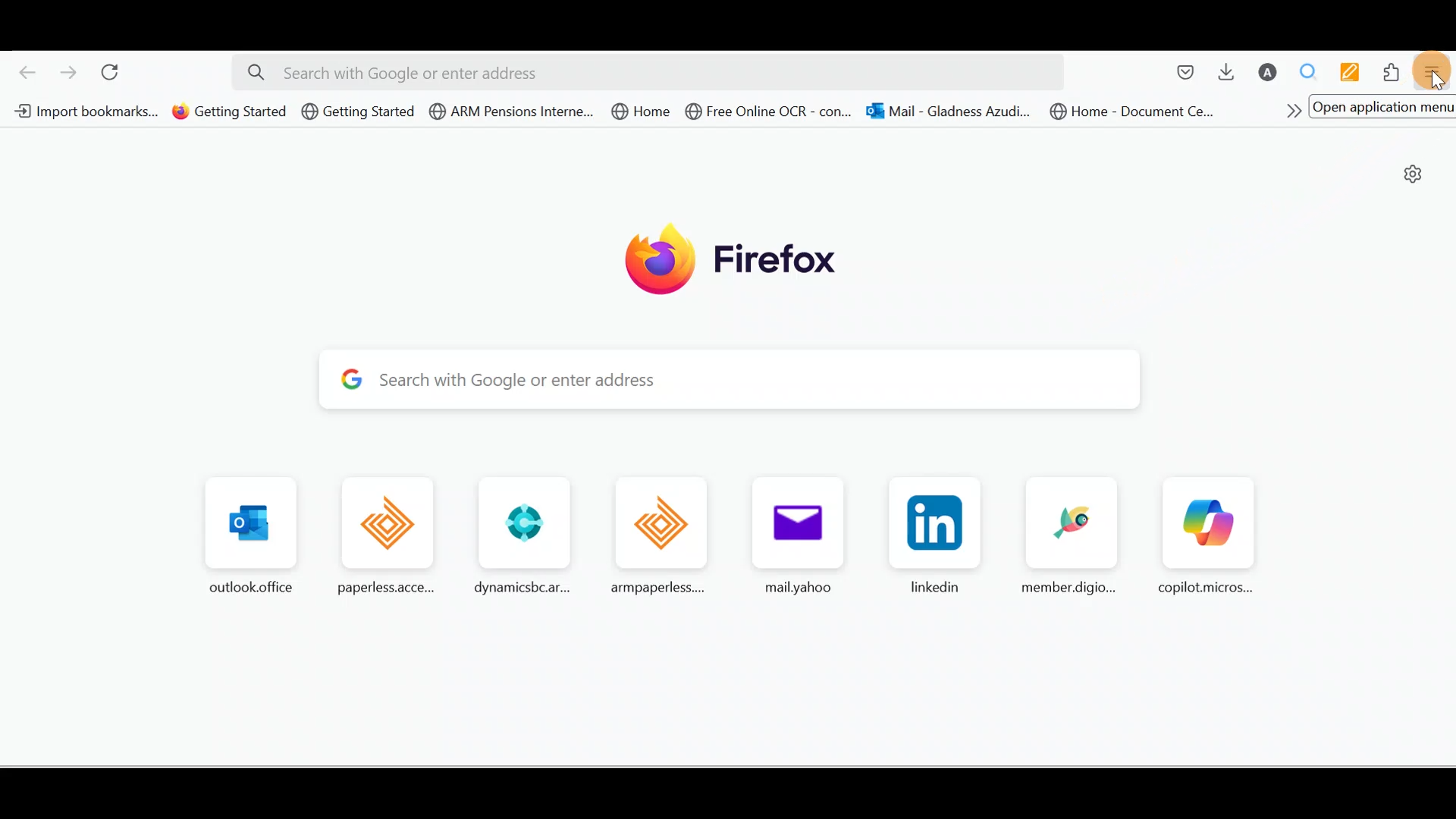 The height and width of the screenshot is (819, 1456). I want to click on Bookmark 4, so click(513, 115).